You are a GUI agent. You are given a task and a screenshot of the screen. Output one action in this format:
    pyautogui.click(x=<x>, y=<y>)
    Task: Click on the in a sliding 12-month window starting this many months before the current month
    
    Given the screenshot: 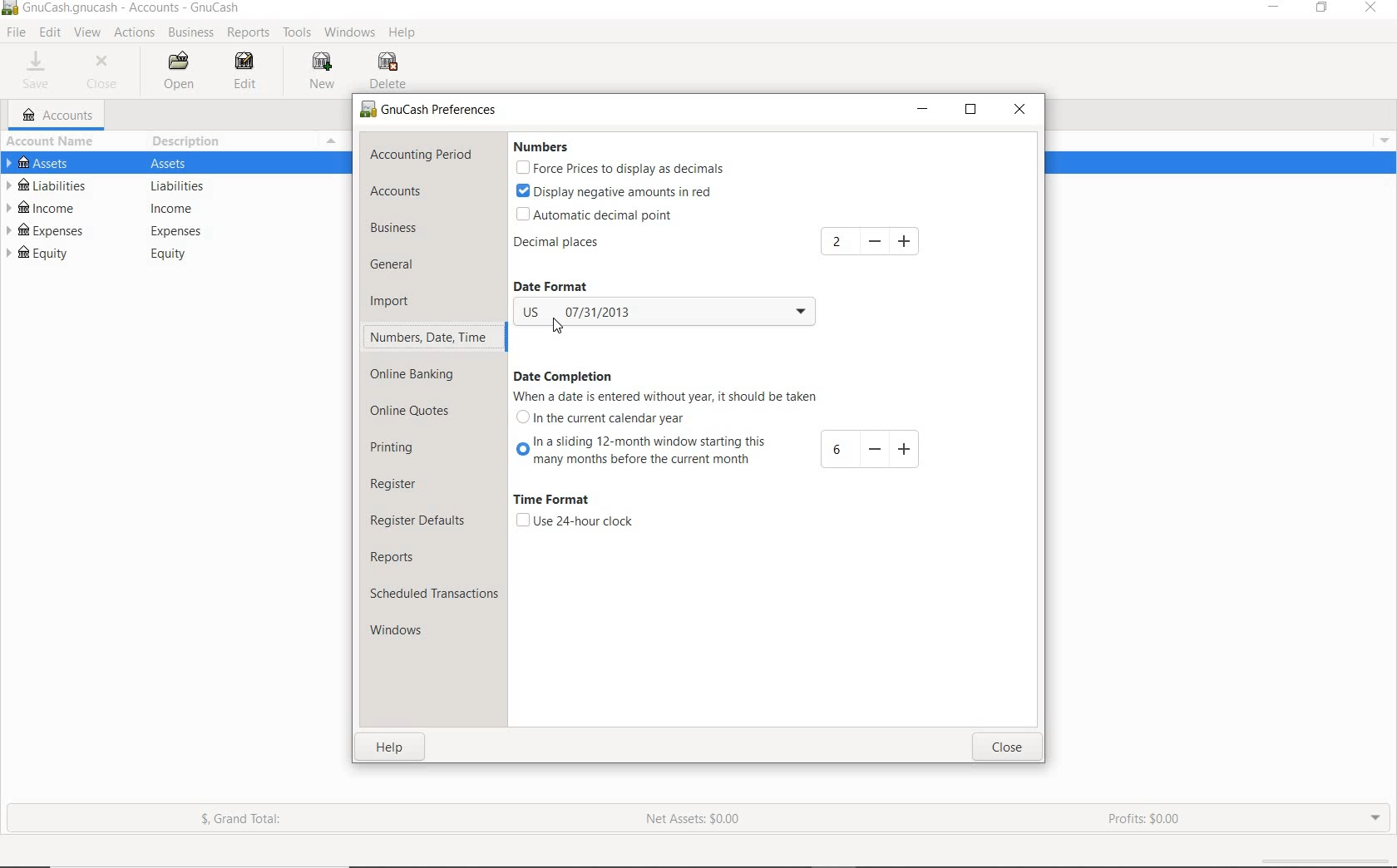 What is the action you would take?
    pyautogui.click(x=723, y=450)
    